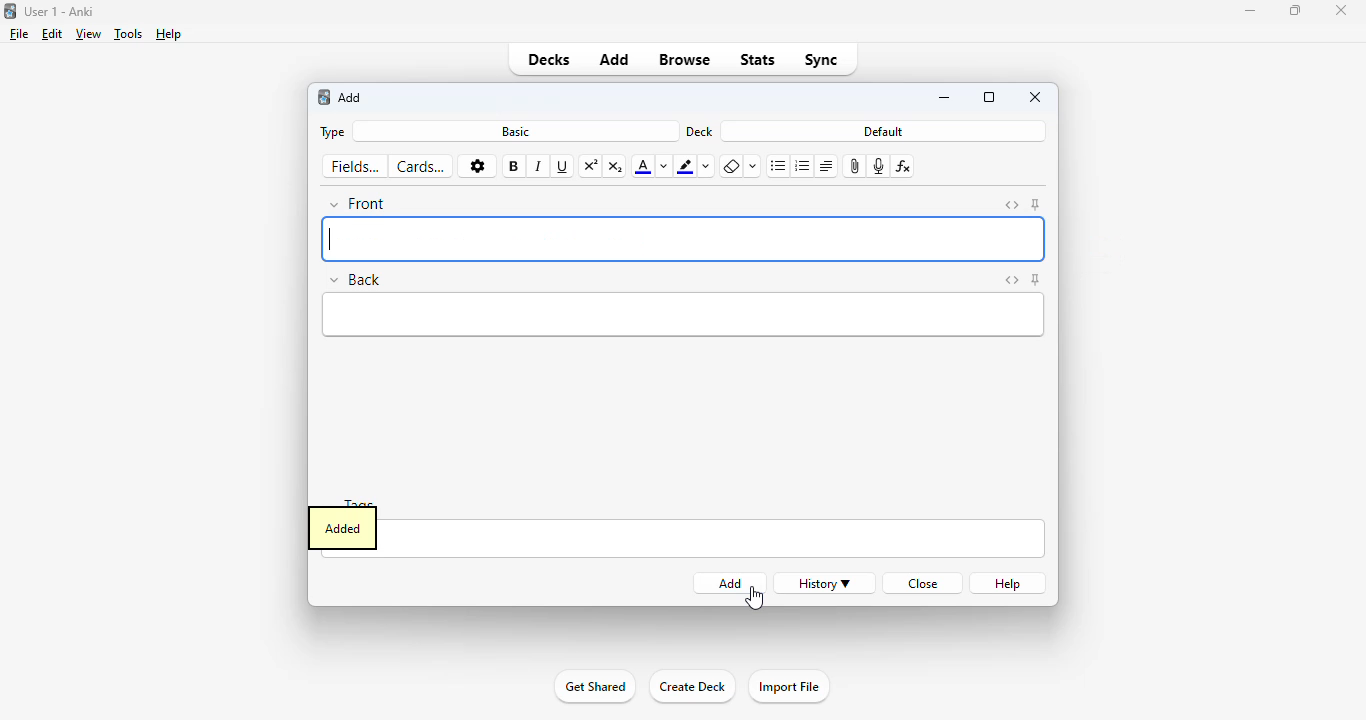 The height and width of the screenshot is (720, 1366). What do you see at coordinates (594, 687) in the screenshot?
I see `get shared` at bounding box center [594, 687].